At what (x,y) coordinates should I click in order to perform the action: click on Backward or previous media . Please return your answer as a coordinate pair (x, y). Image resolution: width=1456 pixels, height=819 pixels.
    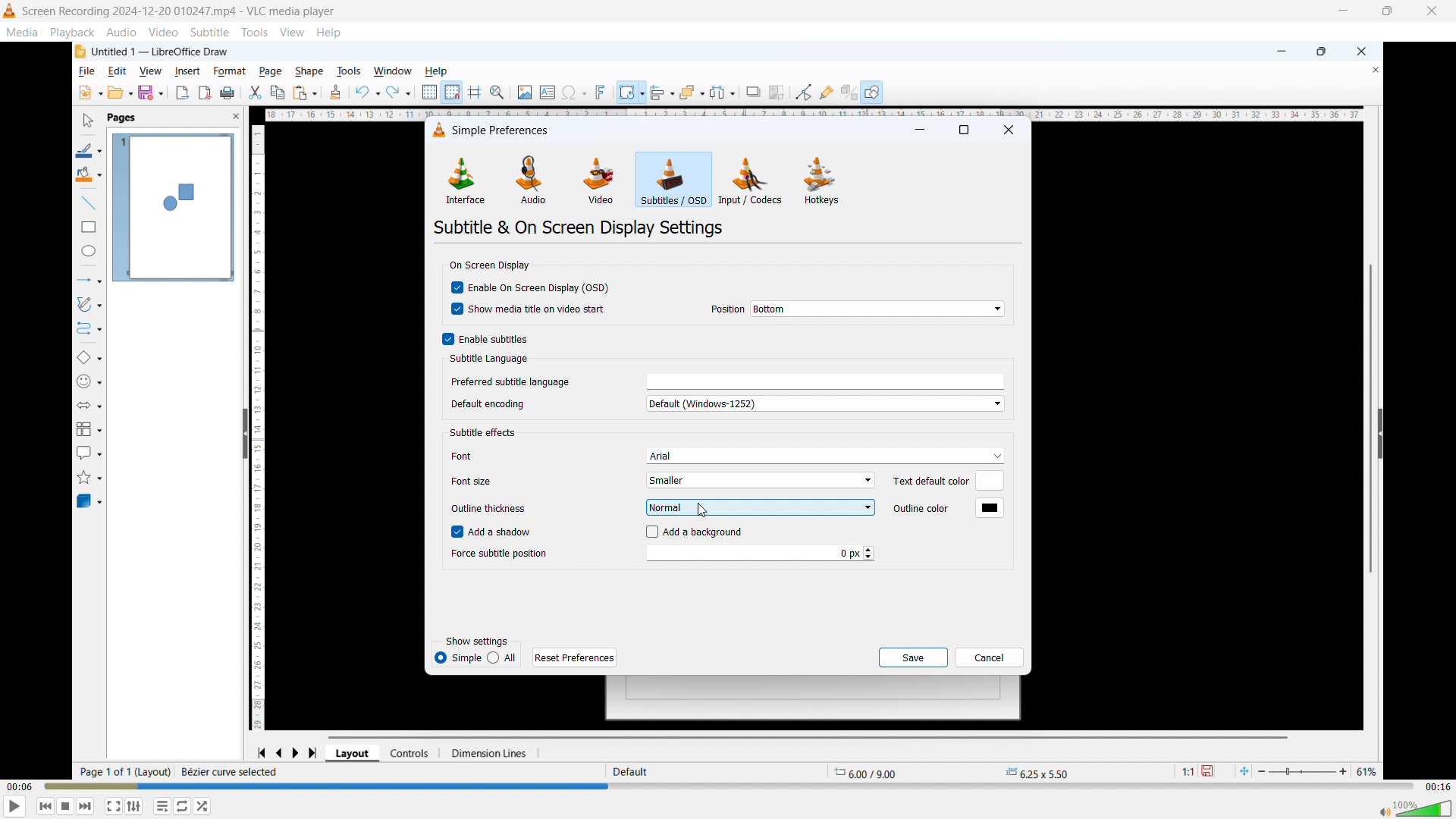
    Looking at the image, I should click on (45, 806).